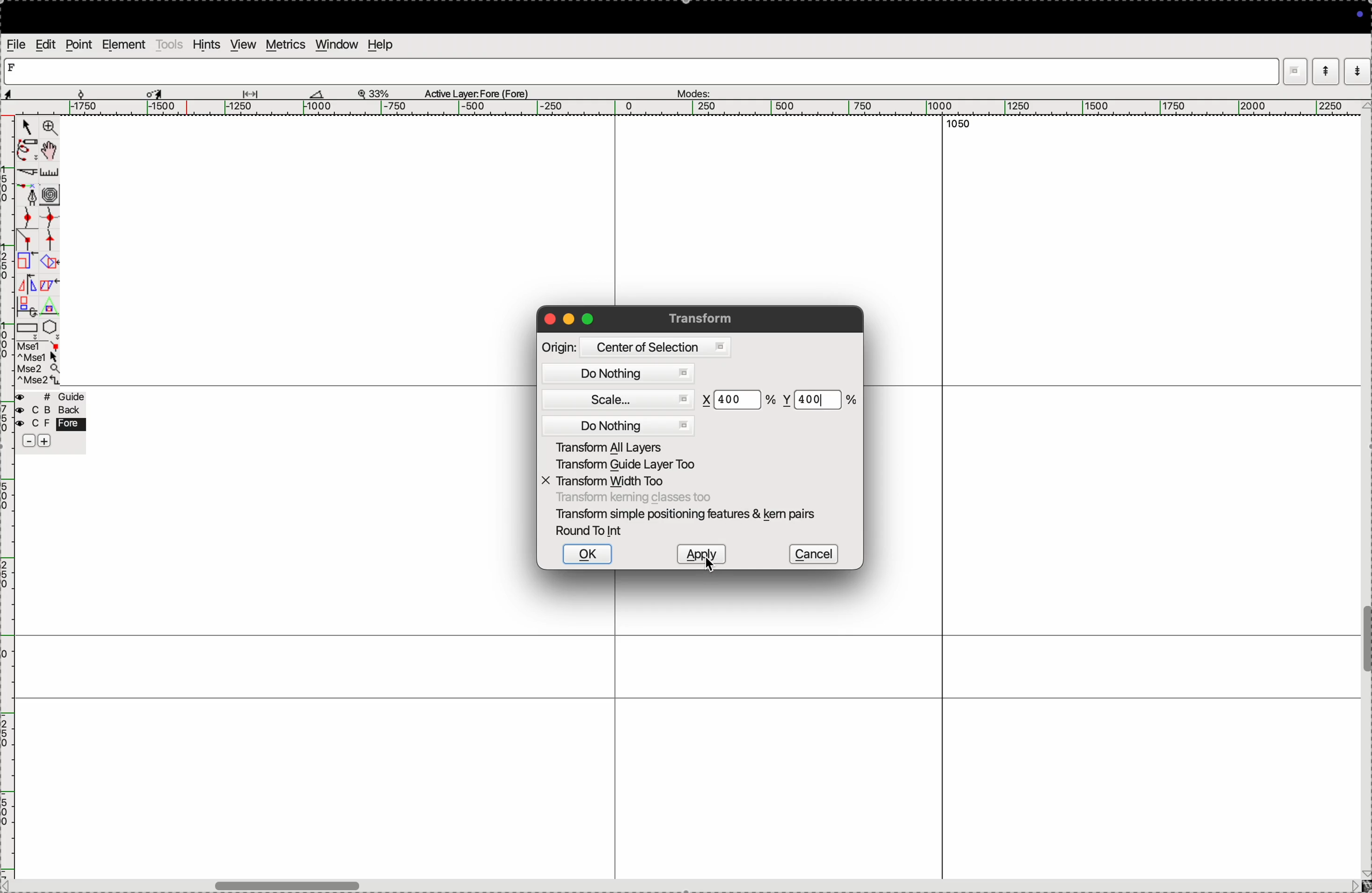 The height and width of the screenshot is (893, 1372). I want to click on toogle, so click(1366, 643).